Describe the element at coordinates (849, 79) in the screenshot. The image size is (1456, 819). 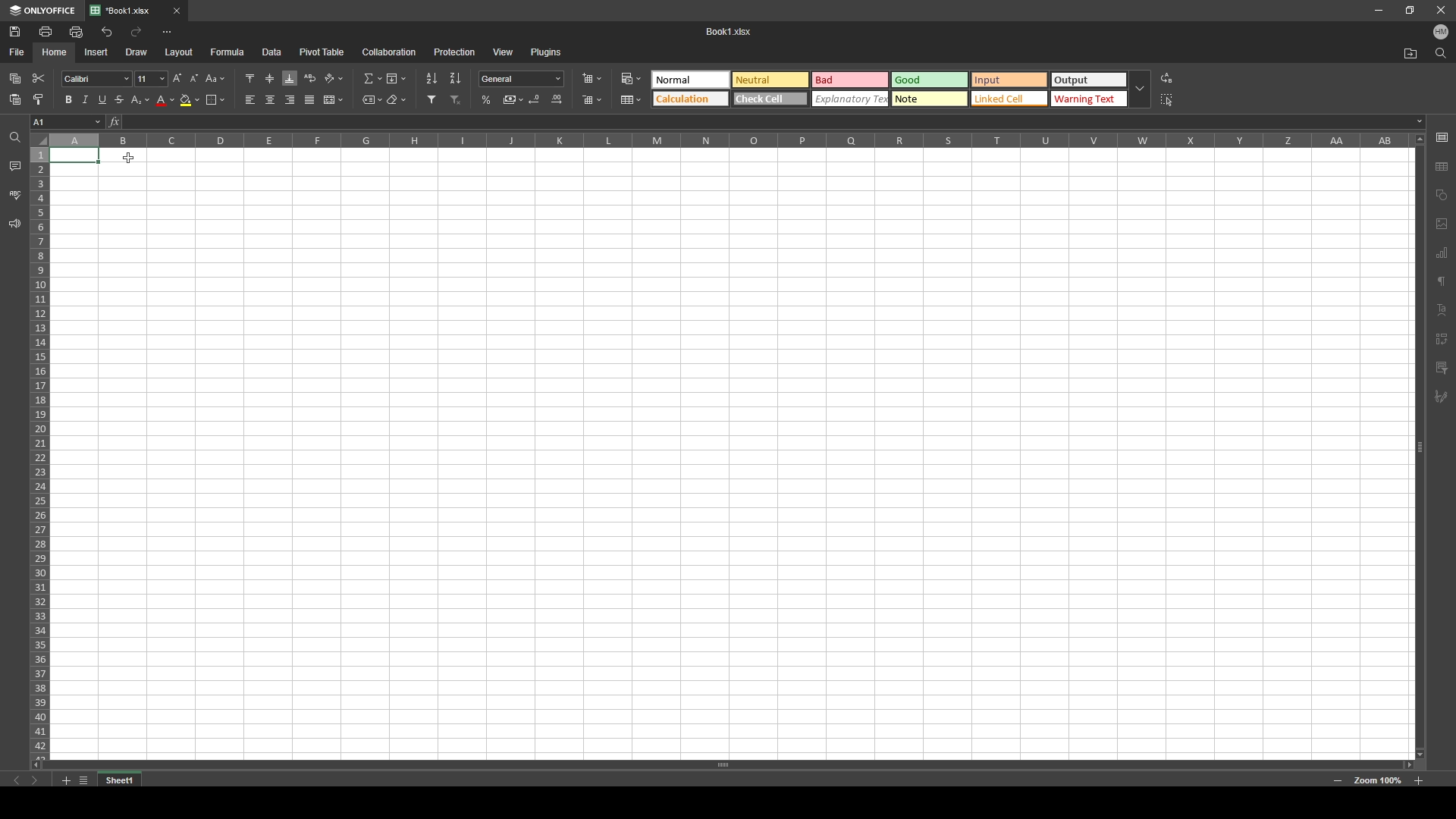
I see `Bad` at that location.